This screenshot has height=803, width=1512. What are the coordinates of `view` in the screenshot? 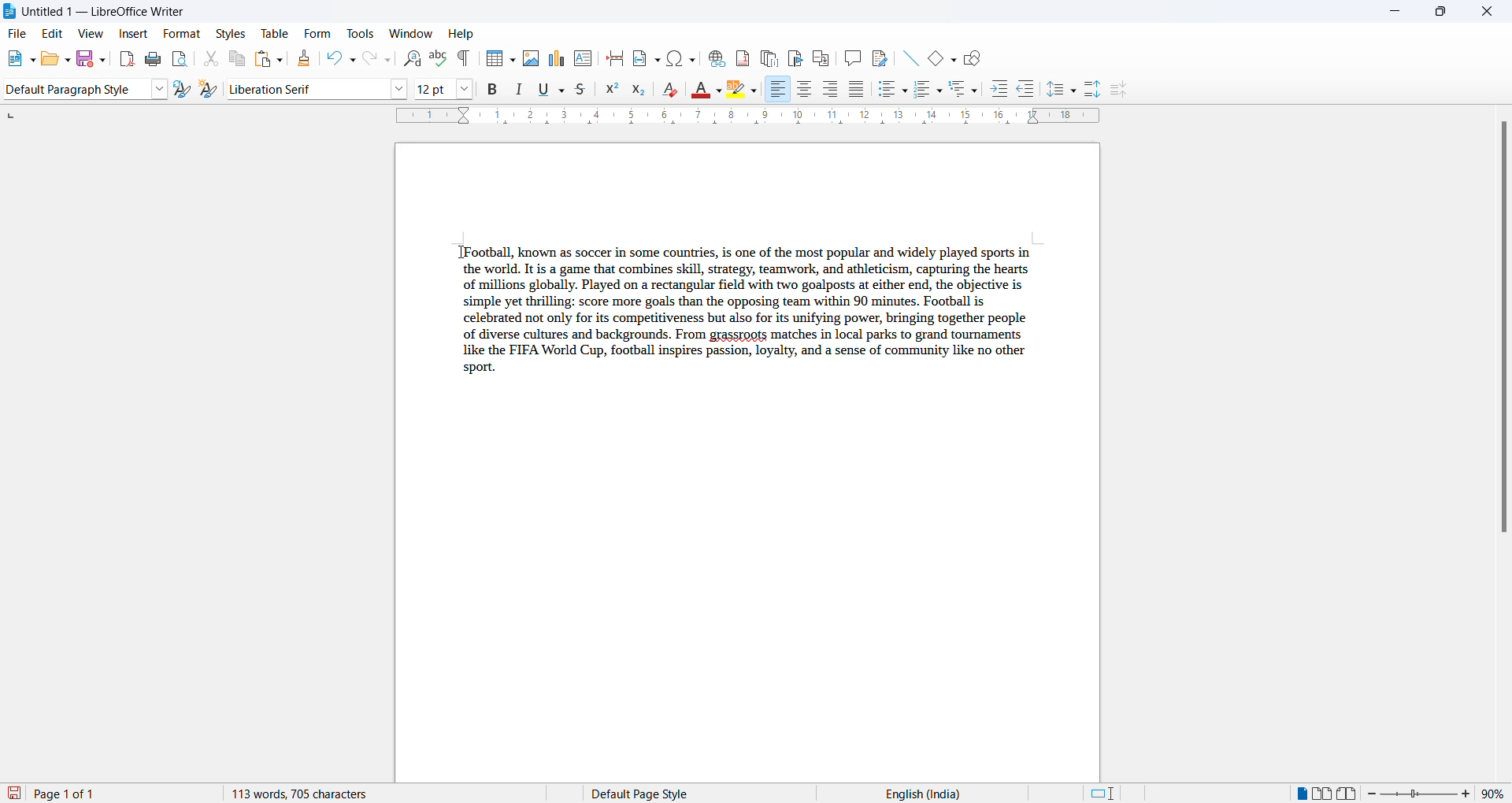 It's located at (88, 33).